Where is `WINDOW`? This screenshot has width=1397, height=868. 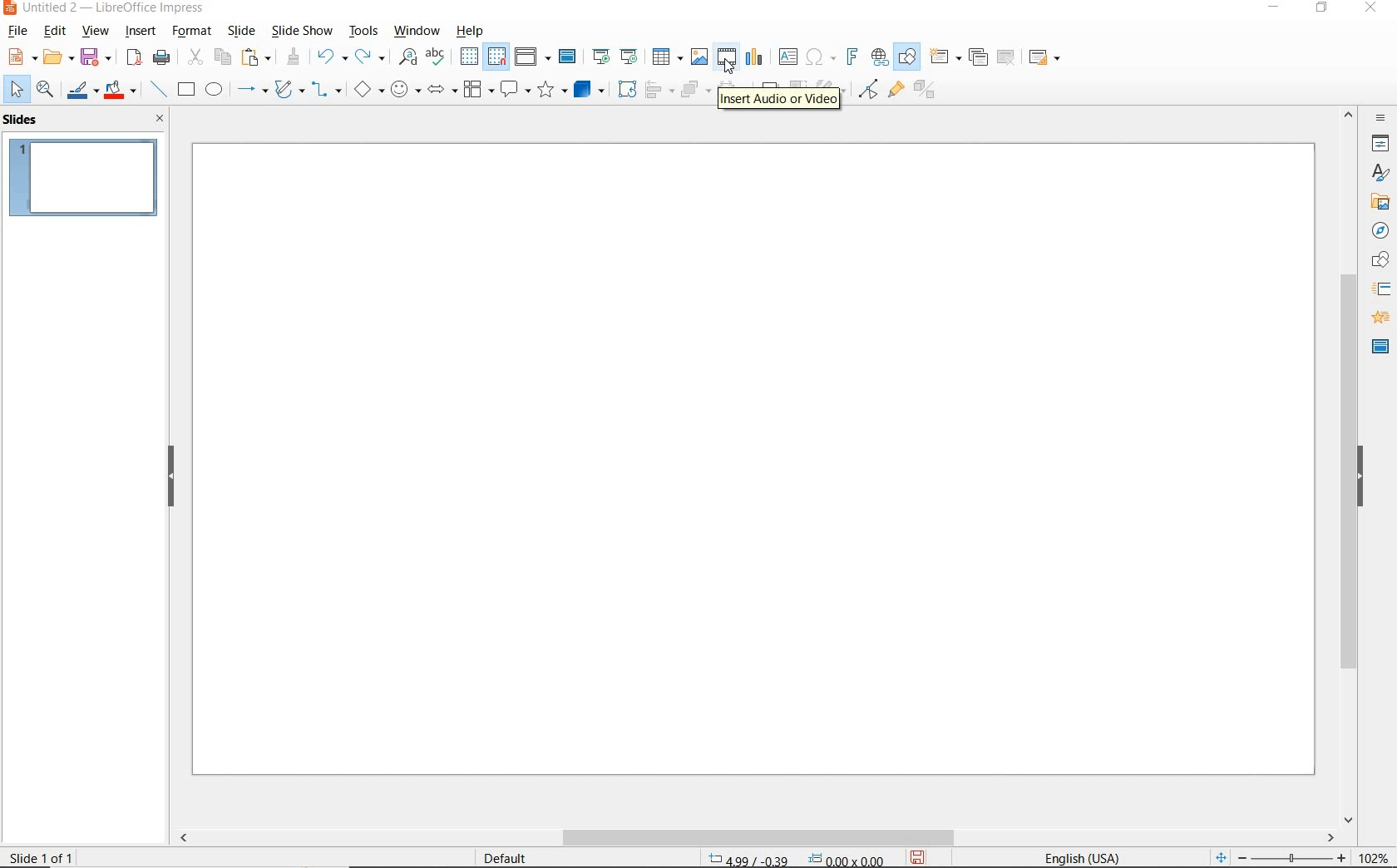 WINDOW is located at coordinates (415, 32).